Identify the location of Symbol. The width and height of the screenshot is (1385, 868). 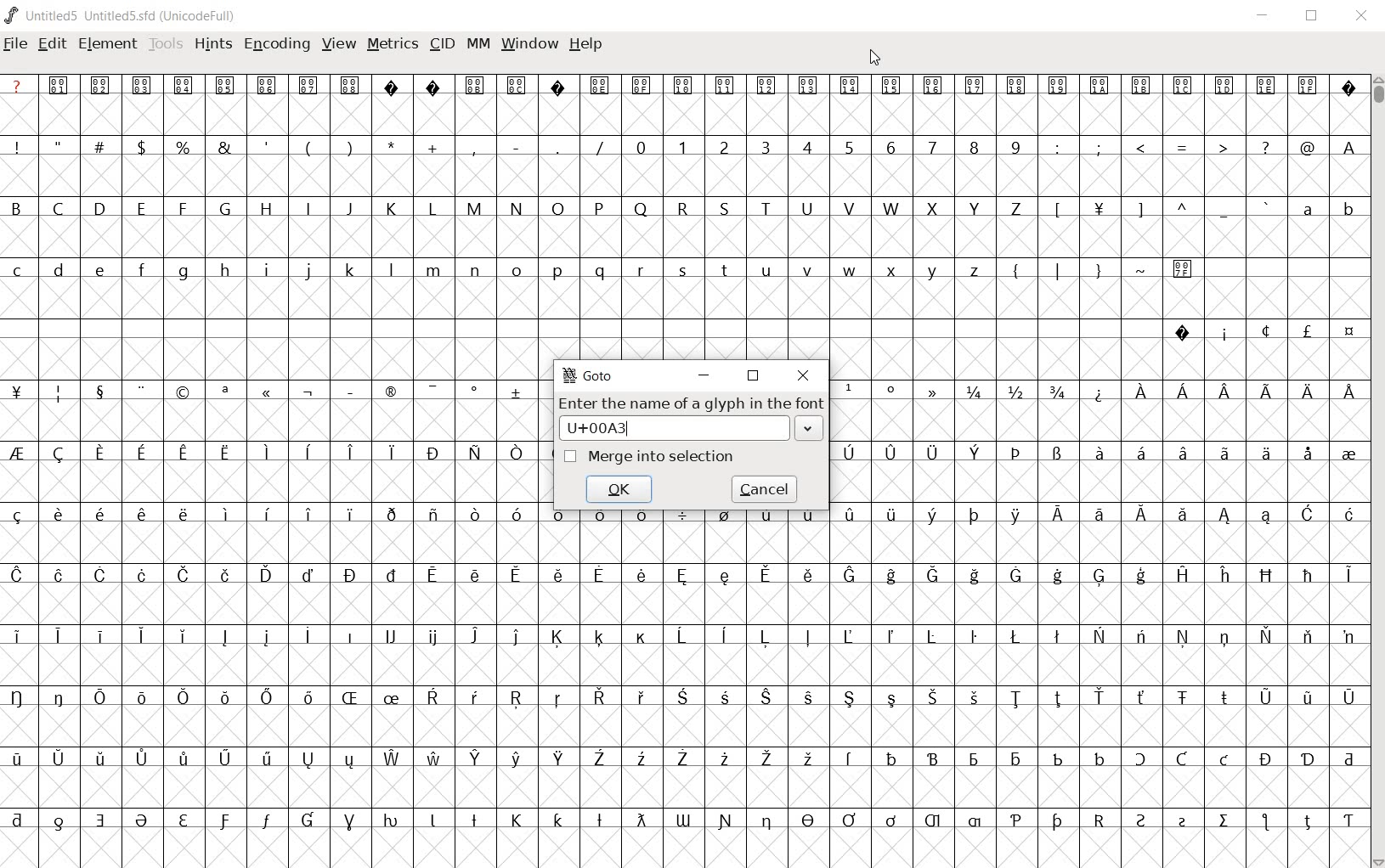
(726, 85).